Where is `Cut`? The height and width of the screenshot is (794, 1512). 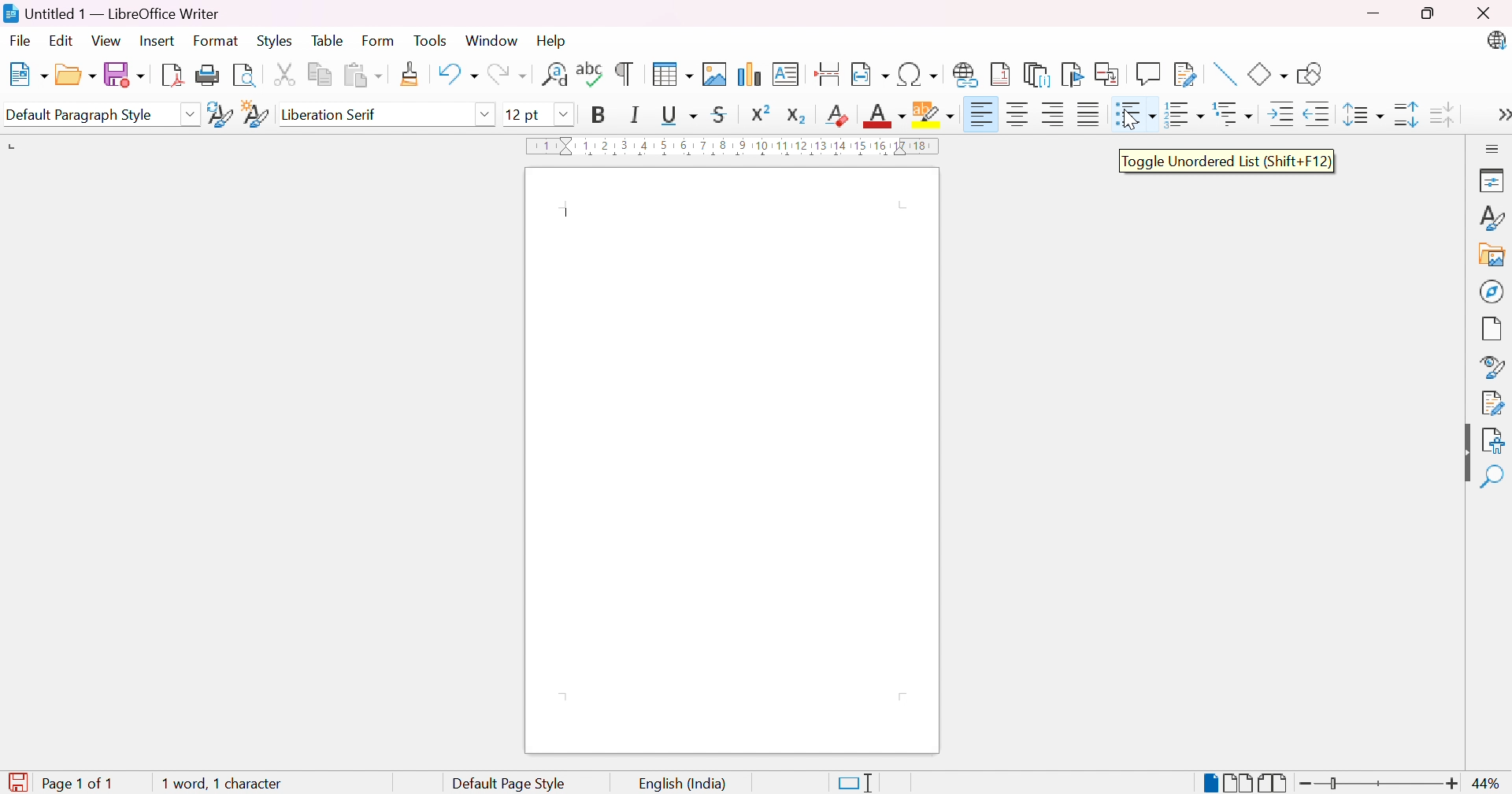
Cut is located at coordinates (288, 76).